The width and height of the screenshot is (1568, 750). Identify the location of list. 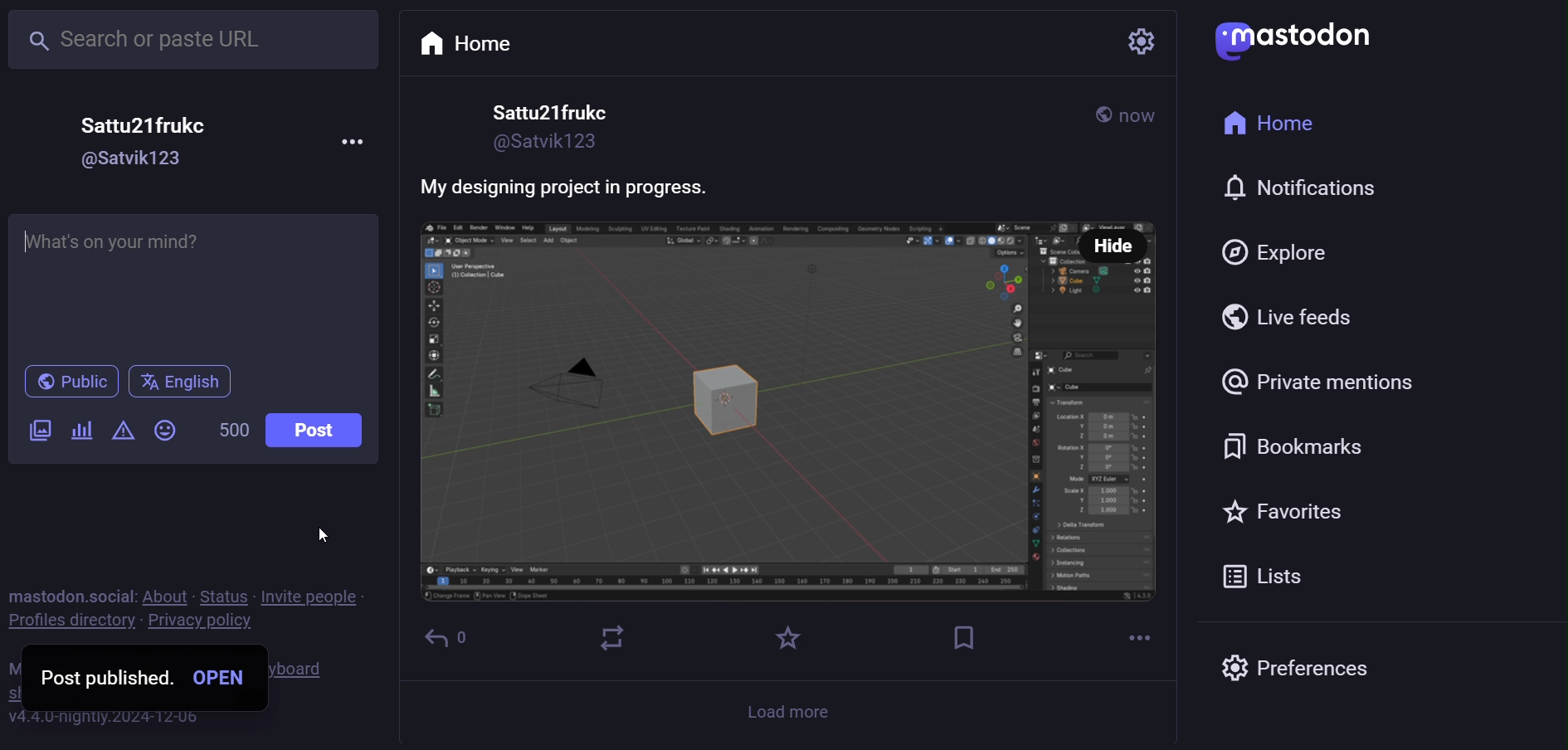
(1254, 577).